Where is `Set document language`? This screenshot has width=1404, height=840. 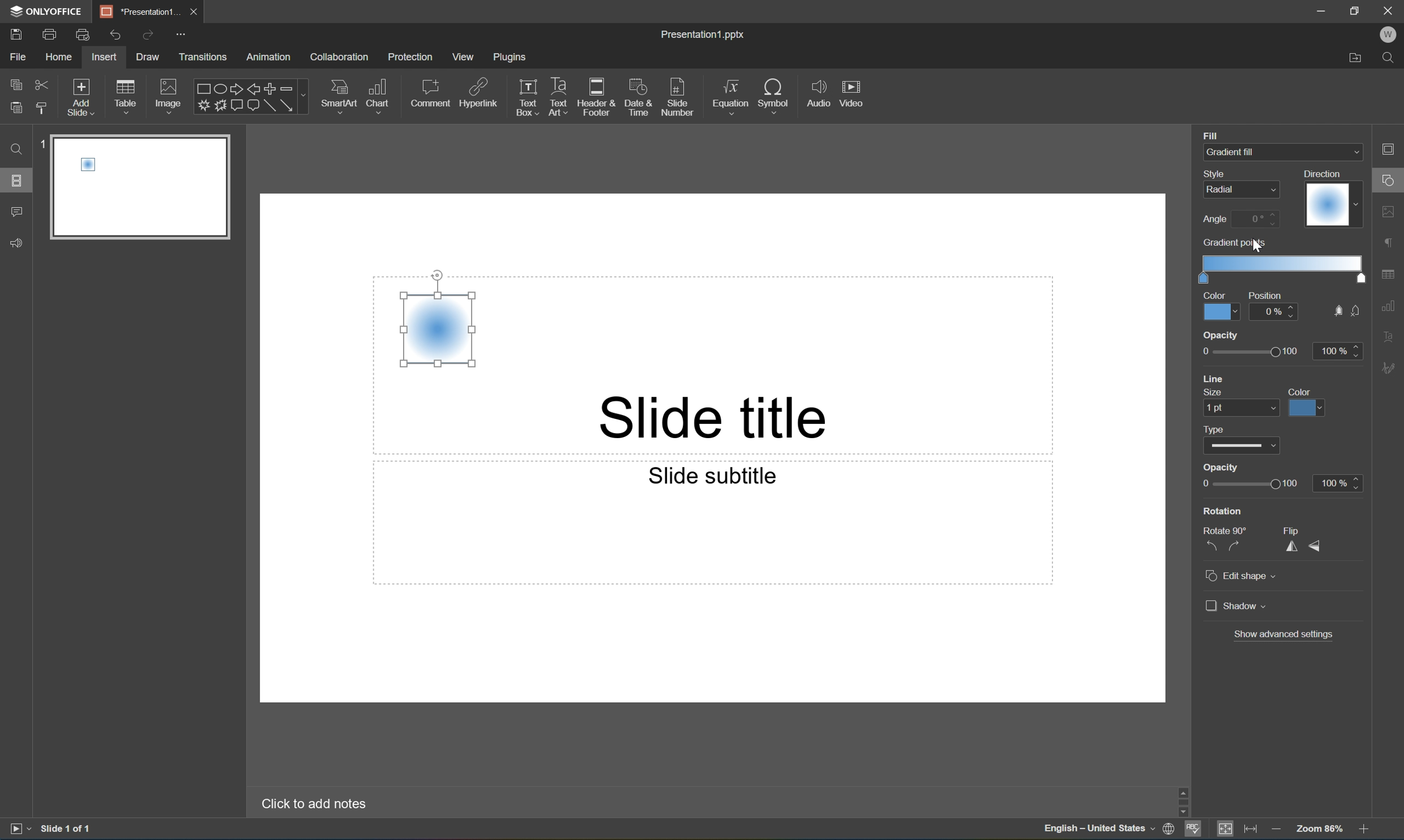
Set document language is located at coordinates (1169, 830).